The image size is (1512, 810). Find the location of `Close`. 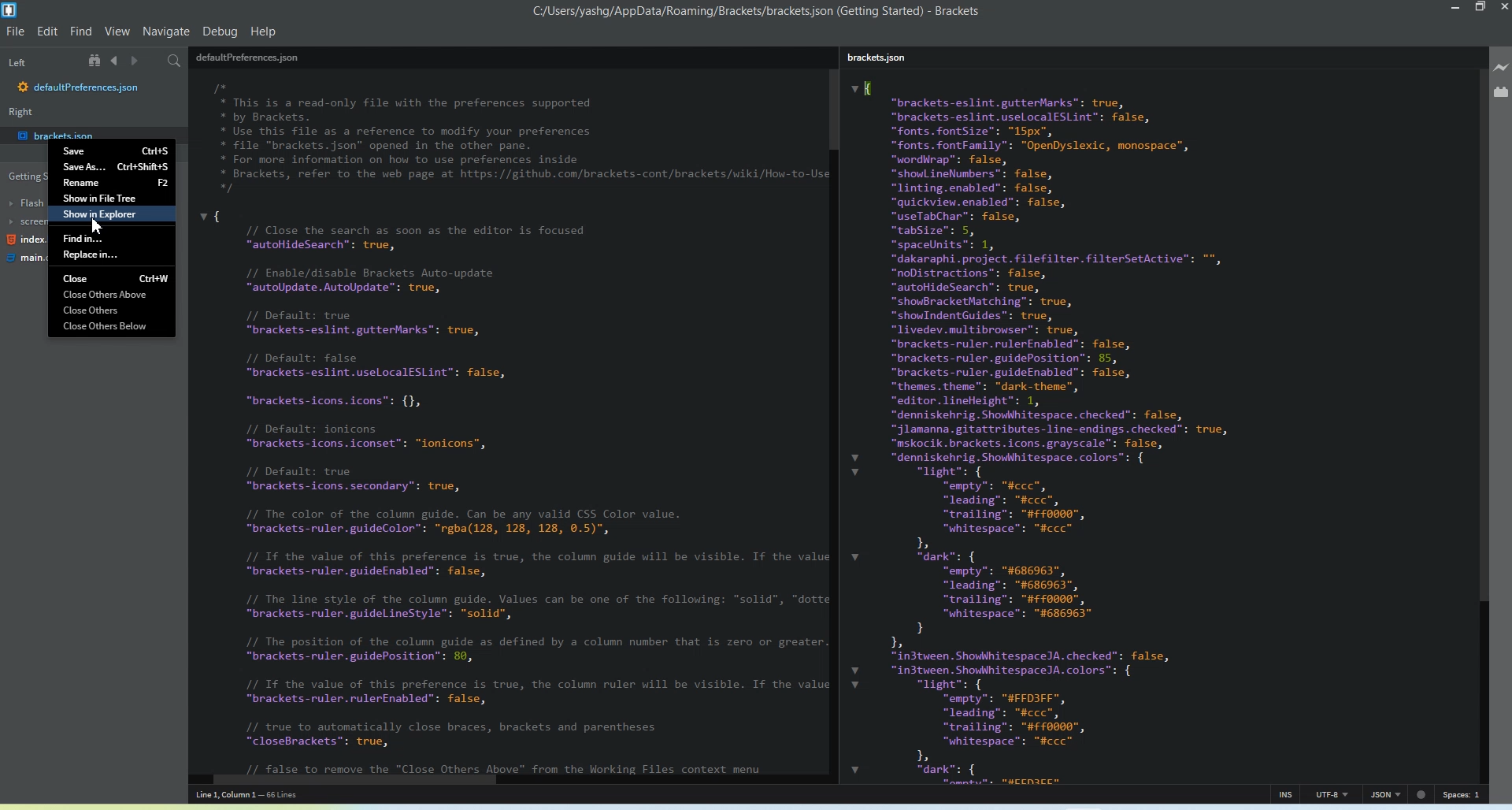

Close is located at coordinates (113, 277).